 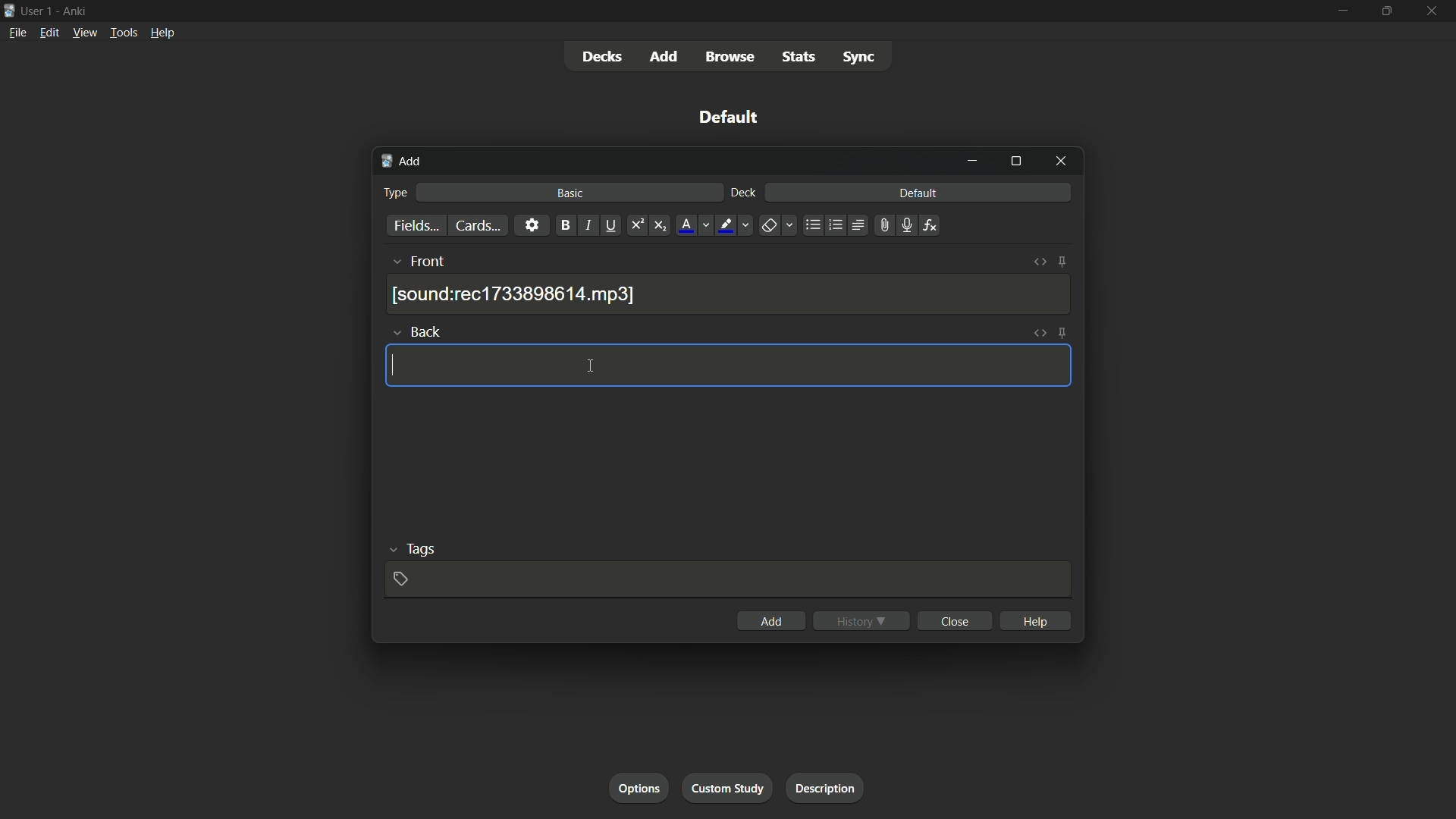 What do you see at coordinates (881, 225) in the screenshot?
I see `attach` at bounding box center [881, 225].